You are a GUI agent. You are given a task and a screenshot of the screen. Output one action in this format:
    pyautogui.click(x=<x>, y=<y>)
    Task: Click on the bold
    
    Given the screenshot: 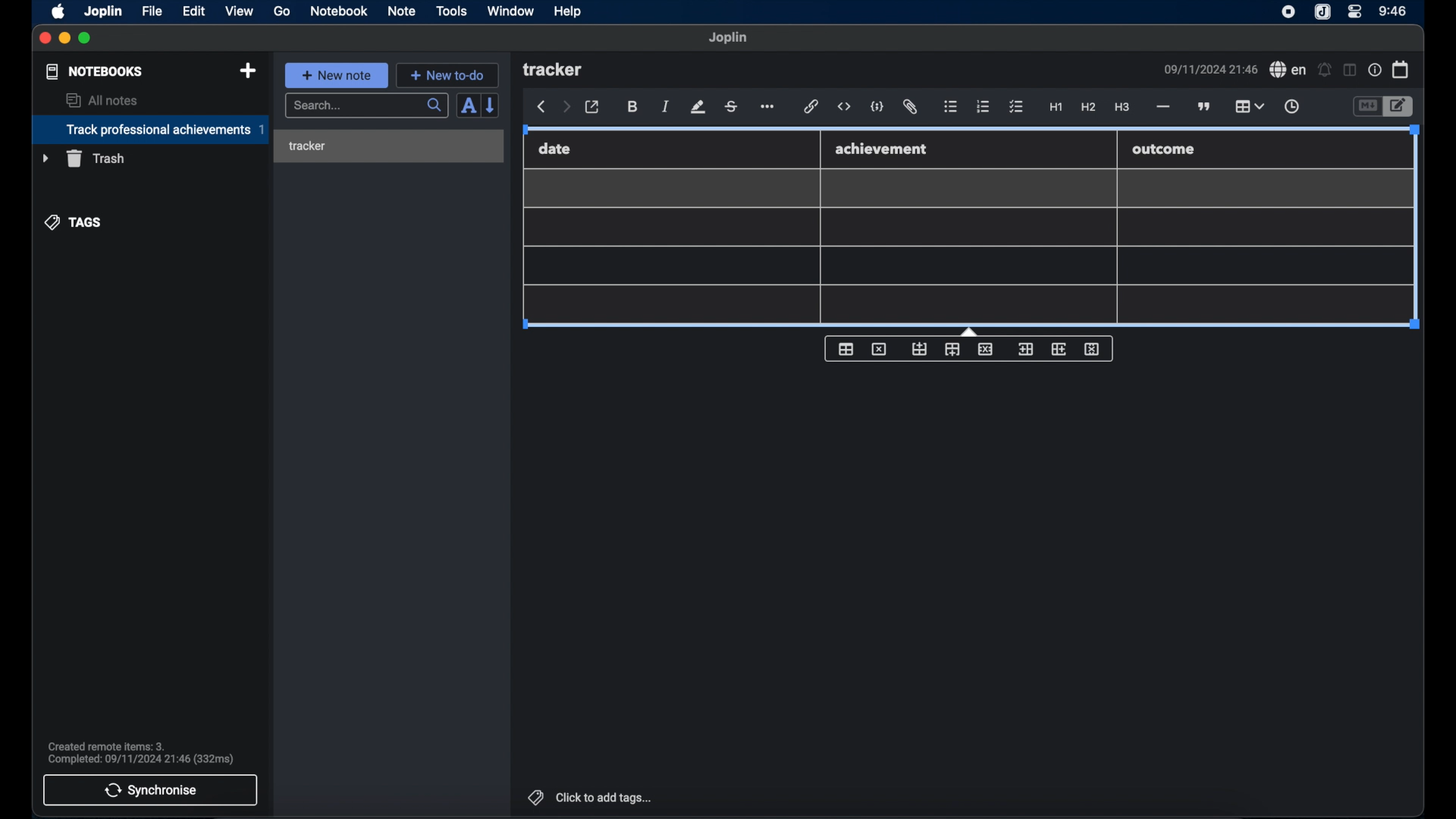 What is the action you would take?
    pyautogui.click(x=632, y=107)
    